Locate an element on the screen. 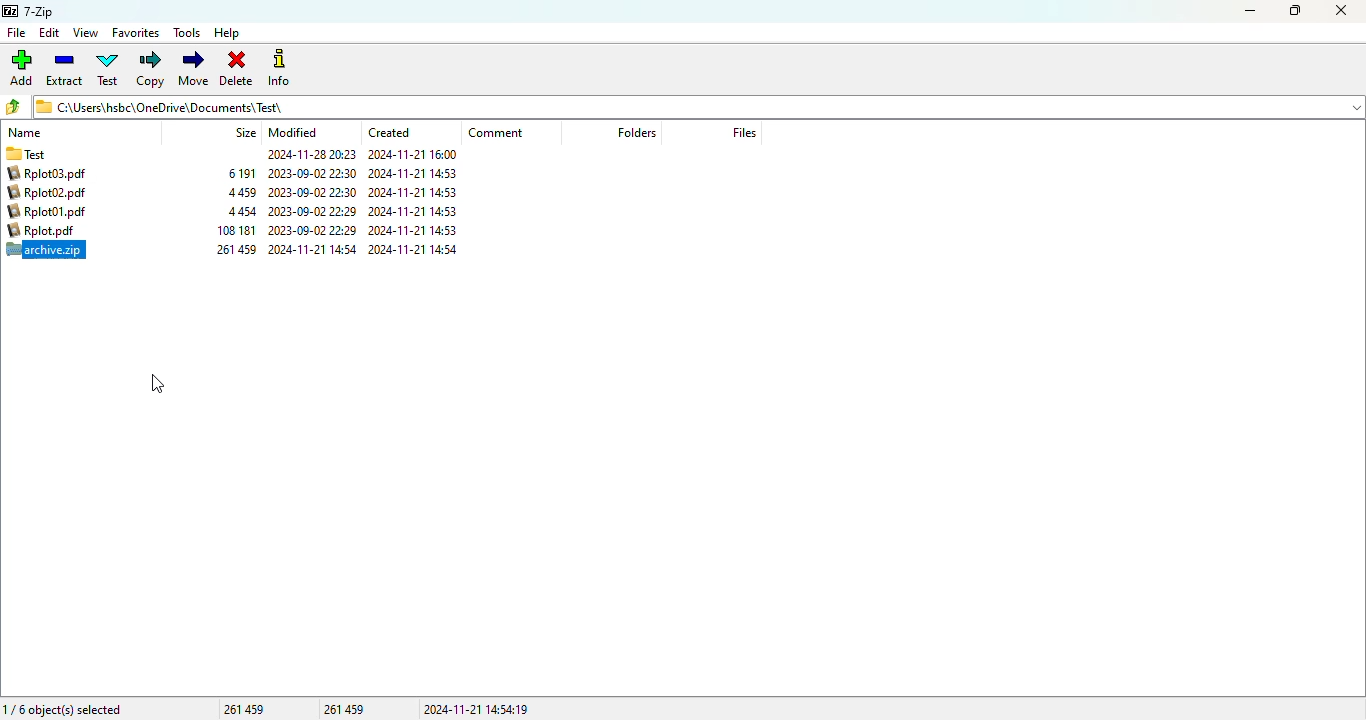  1/6 object(s) selected is located at coordinates (63, 708).